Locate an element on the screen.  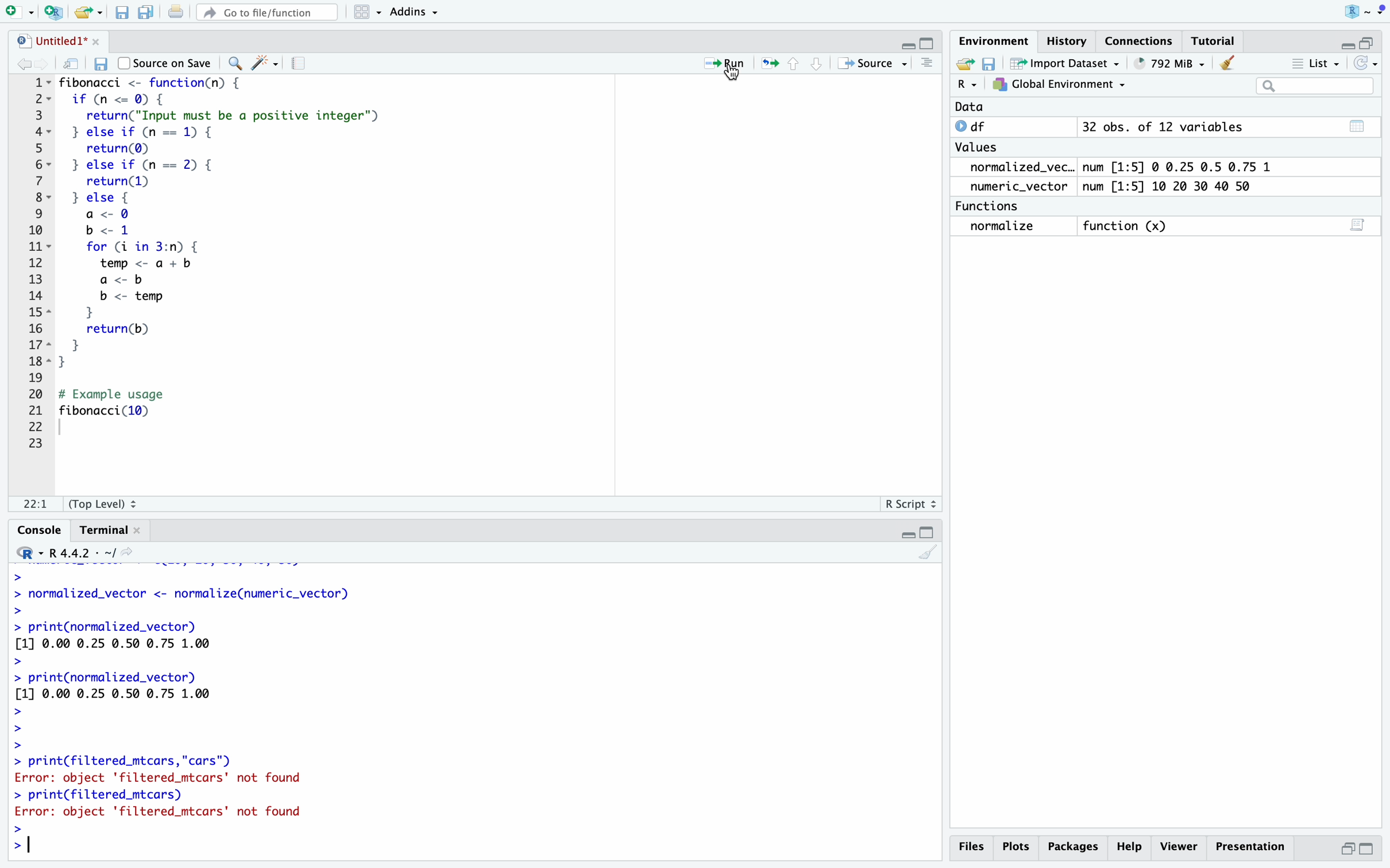
> print(normalized_vector)
[1] 0.00 0.25 0.50 0.75 1.00 is located at coordinates (118, 644).